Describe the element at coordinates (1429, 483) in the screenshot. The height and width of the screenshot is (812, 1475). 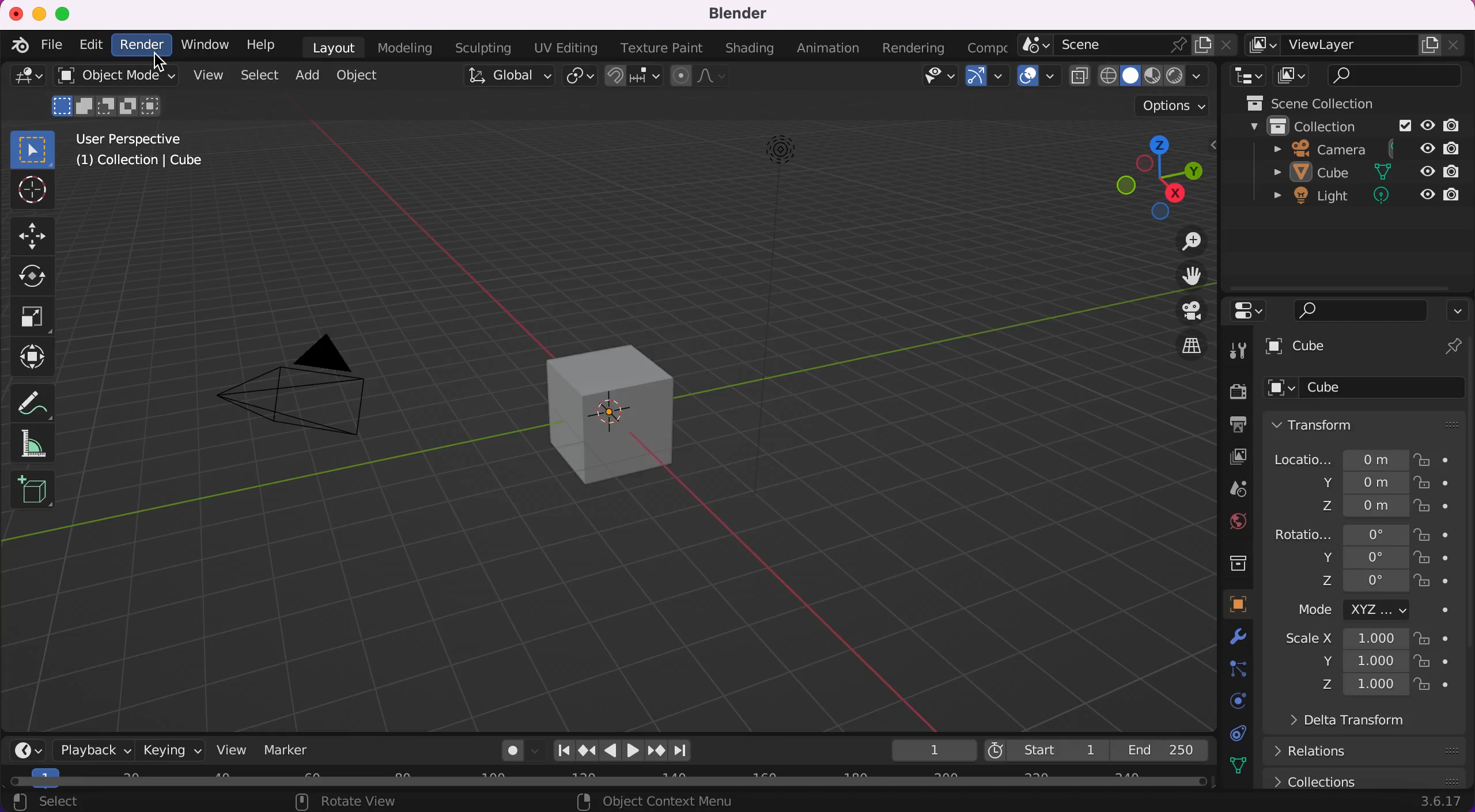
I see `lock` at that location.